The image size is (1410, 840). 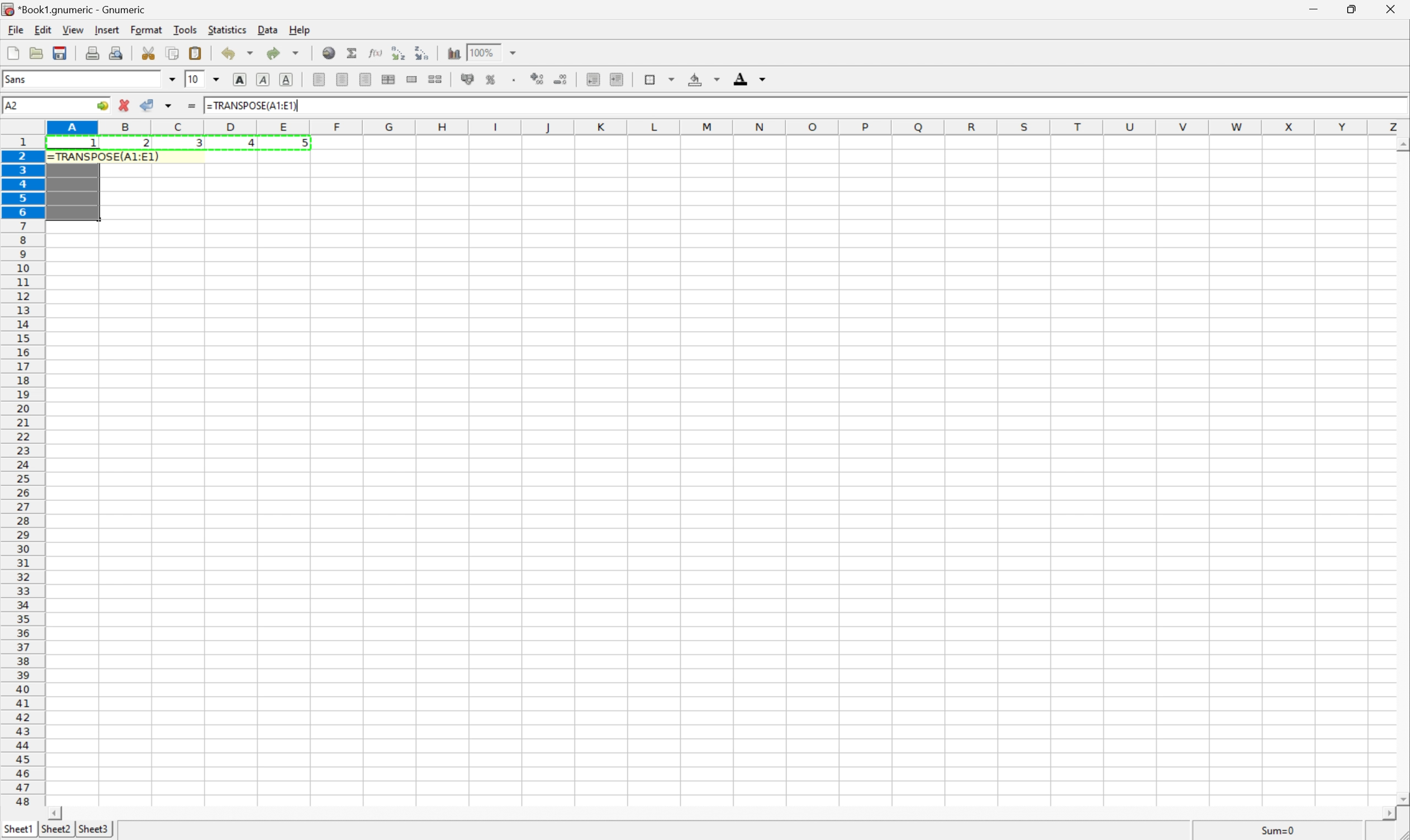 What do you see at coordinates (344, 78) in the screenshot?
I see `center horizontally` at bounding box center [344, 78].